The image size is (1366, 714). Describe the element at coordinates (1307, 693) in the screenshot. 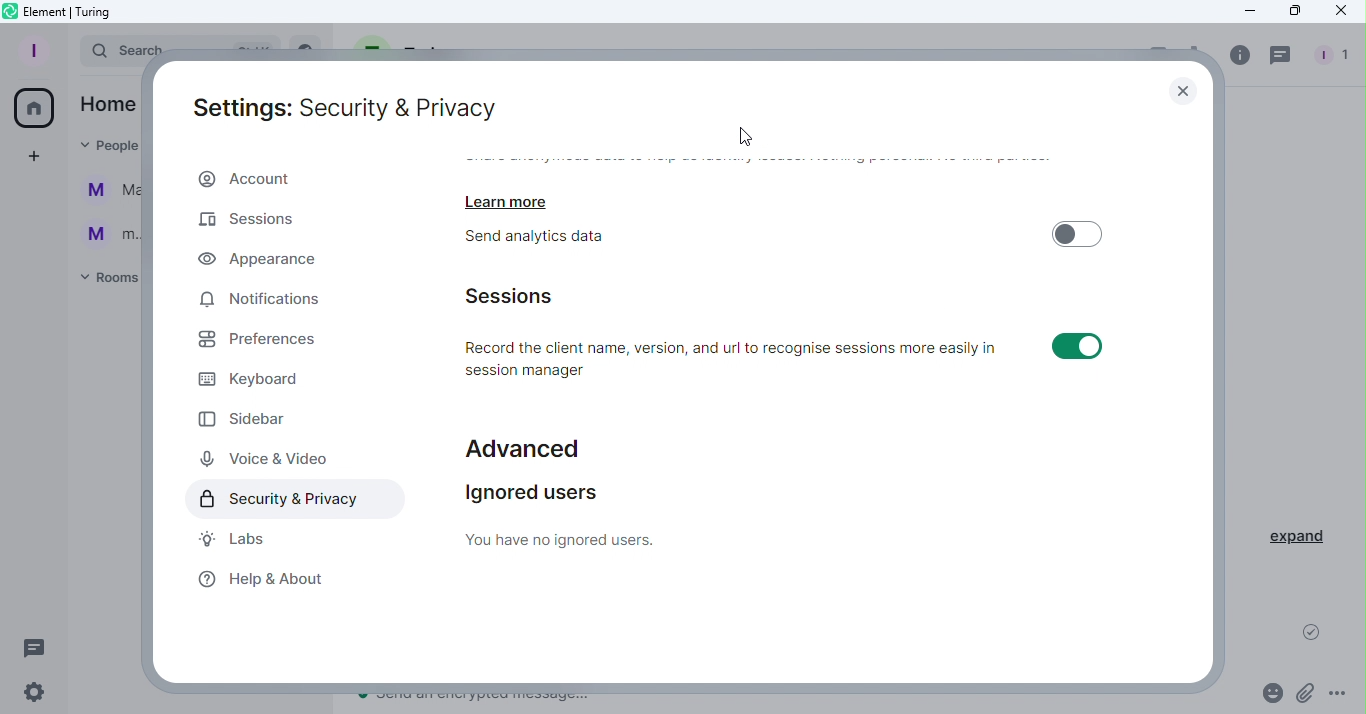

I see `Attachment` at that location.